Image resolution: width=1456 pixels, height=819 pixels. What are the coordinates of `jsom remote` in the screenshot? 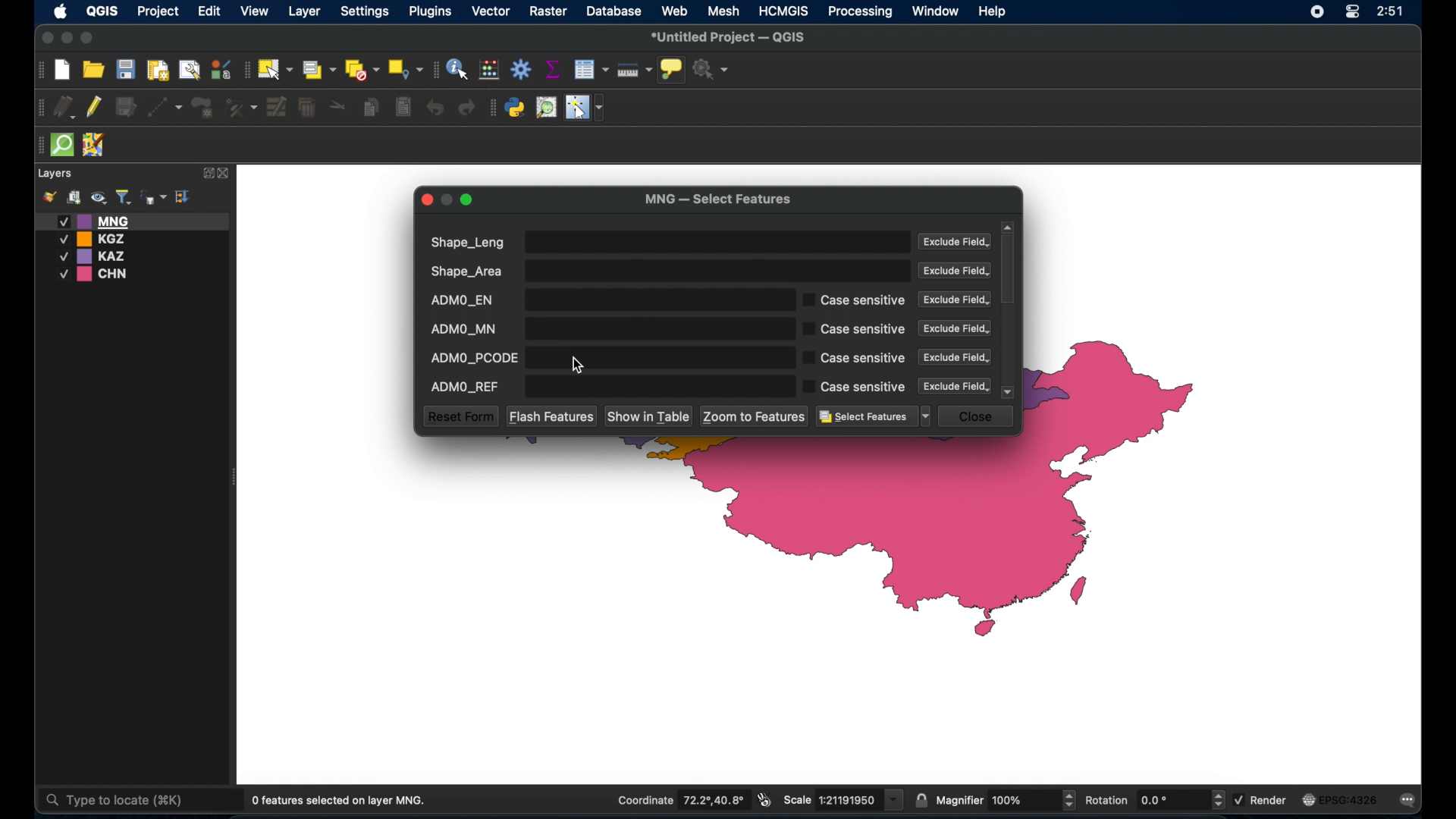 It's located at (96, 146).